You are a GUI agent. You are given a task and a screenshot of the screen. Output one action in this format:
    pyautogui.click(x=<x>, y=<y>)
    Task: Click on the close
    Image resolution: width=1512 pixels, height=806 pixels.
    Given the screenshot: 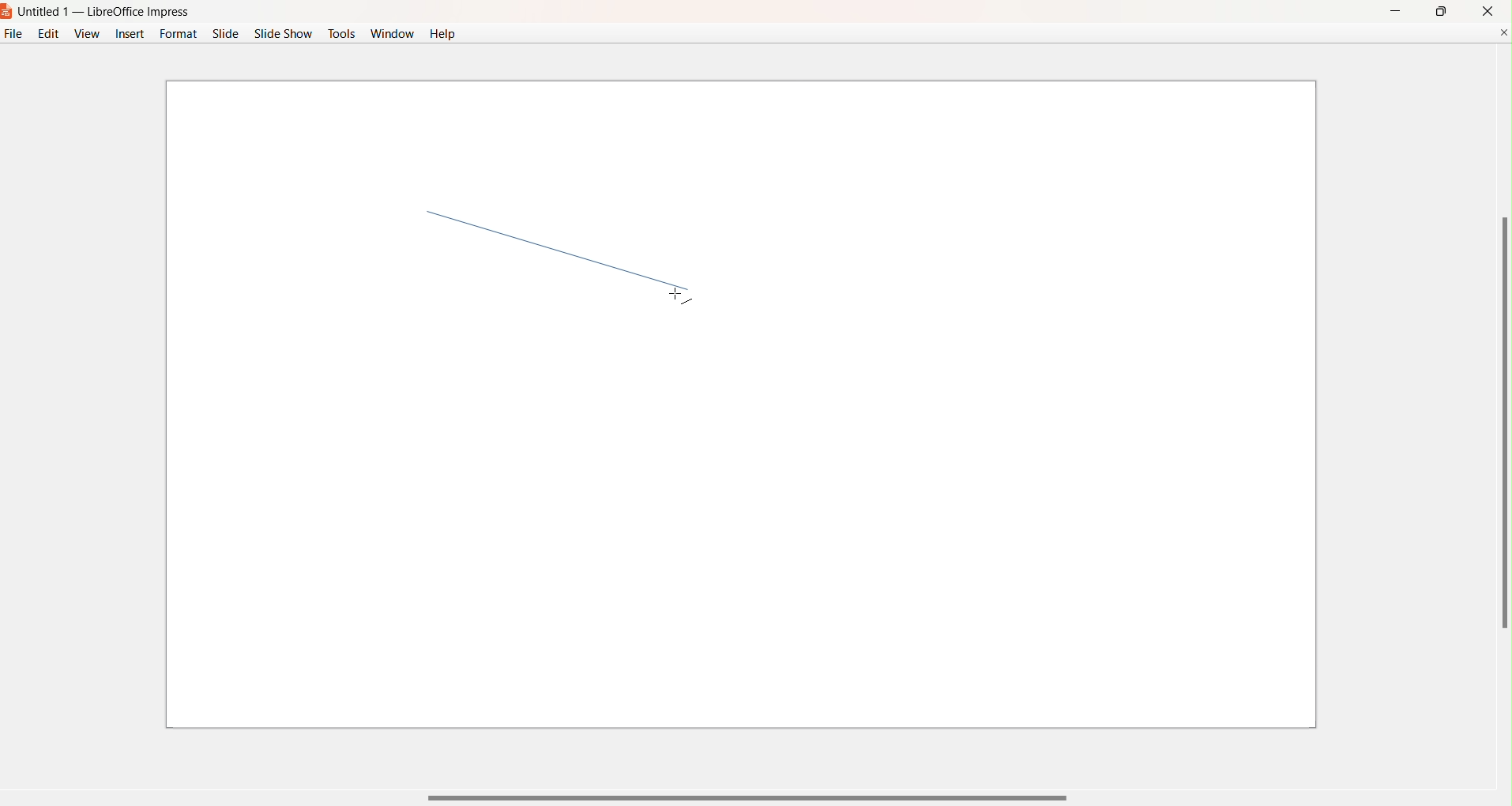 What is the action you would take?
    pyautogui.click(x=1488, y=10)
    